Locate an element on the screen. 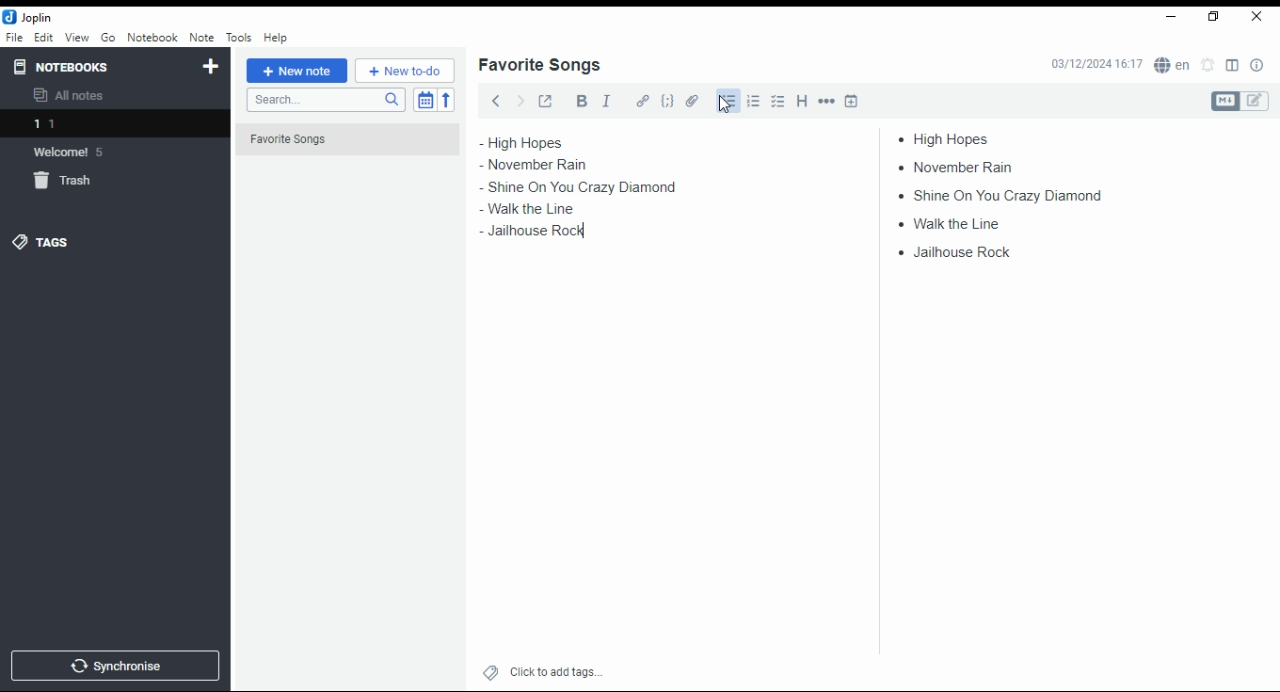 The height and width of the screenshot is (692, 1280). notebooks is located at coordinates (97, 66).